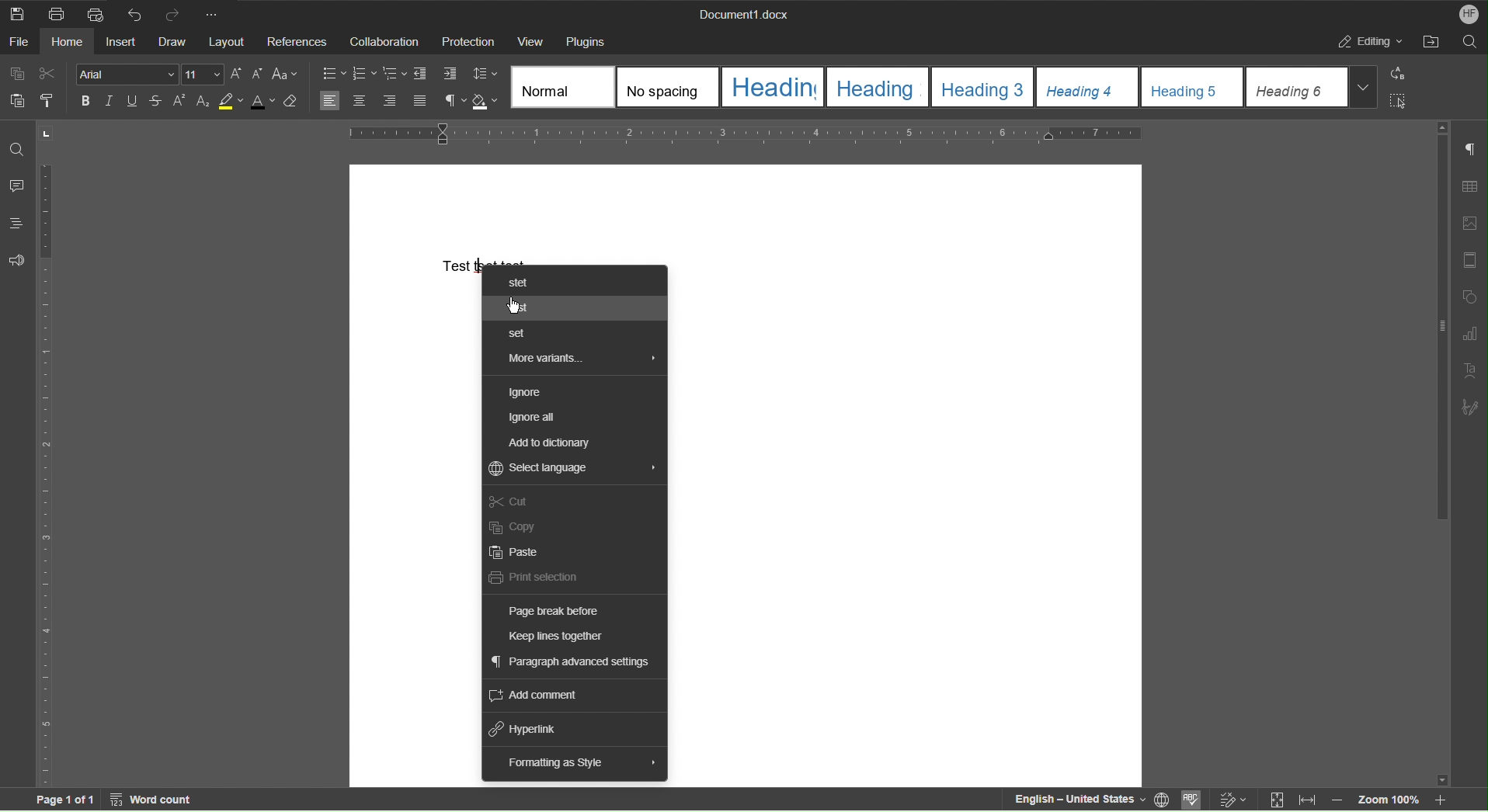 This screenshot has width=1488, height=812. I want to click on Paste, so click(520, 554).